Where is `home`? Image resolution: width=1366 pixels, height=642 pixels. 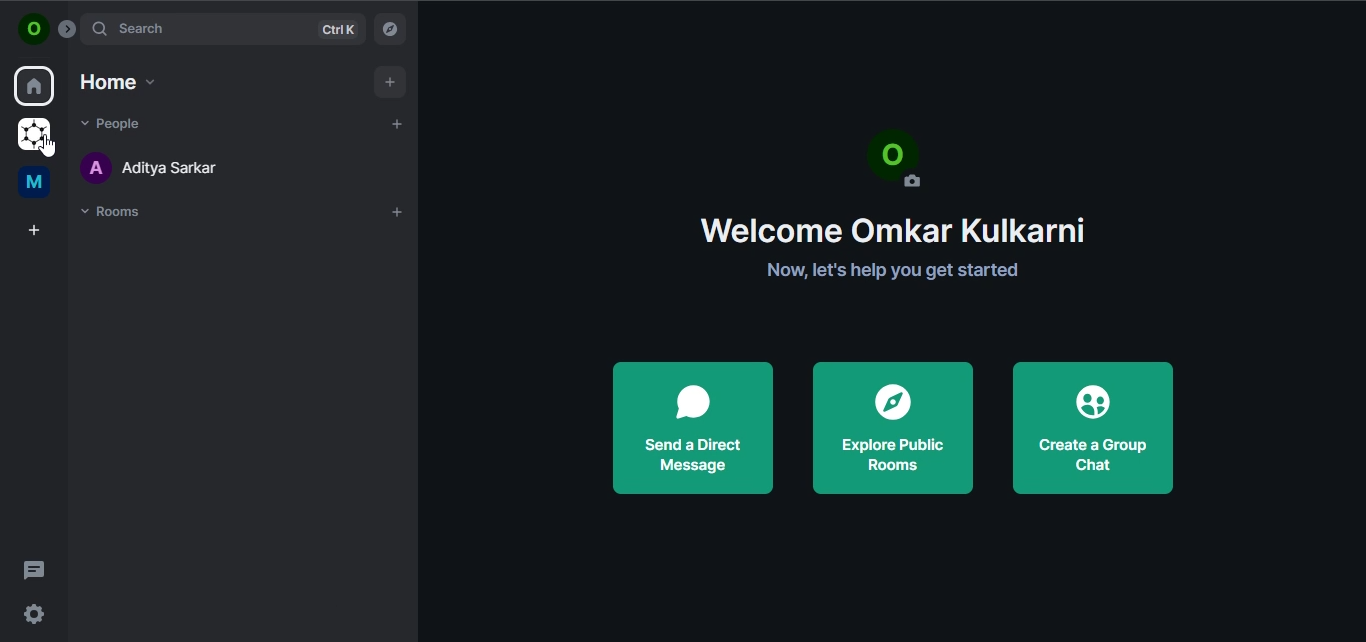 home is located at coordinates (127, 82).